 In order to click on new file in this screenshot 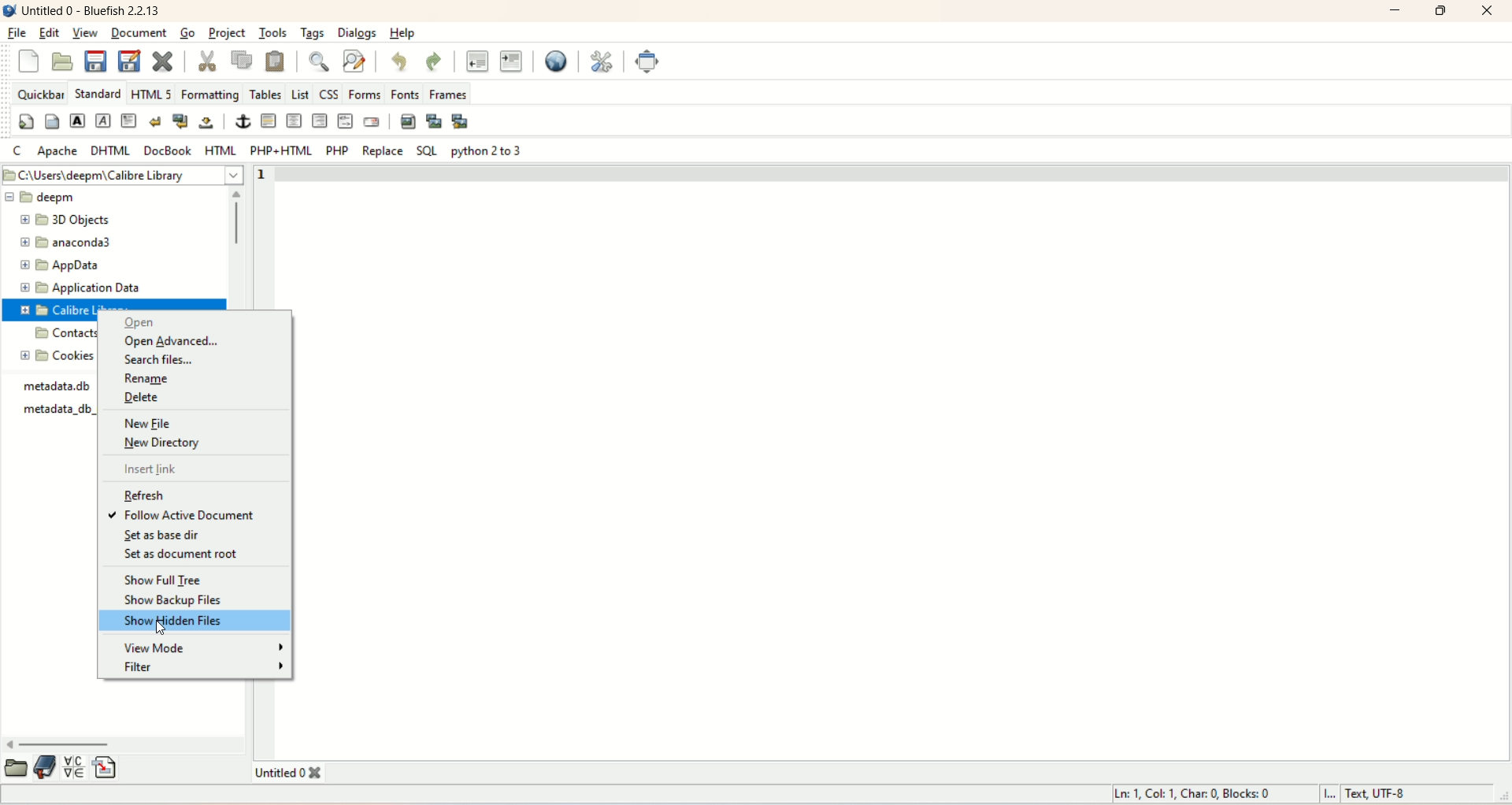, I will do `click(157, 421)`.